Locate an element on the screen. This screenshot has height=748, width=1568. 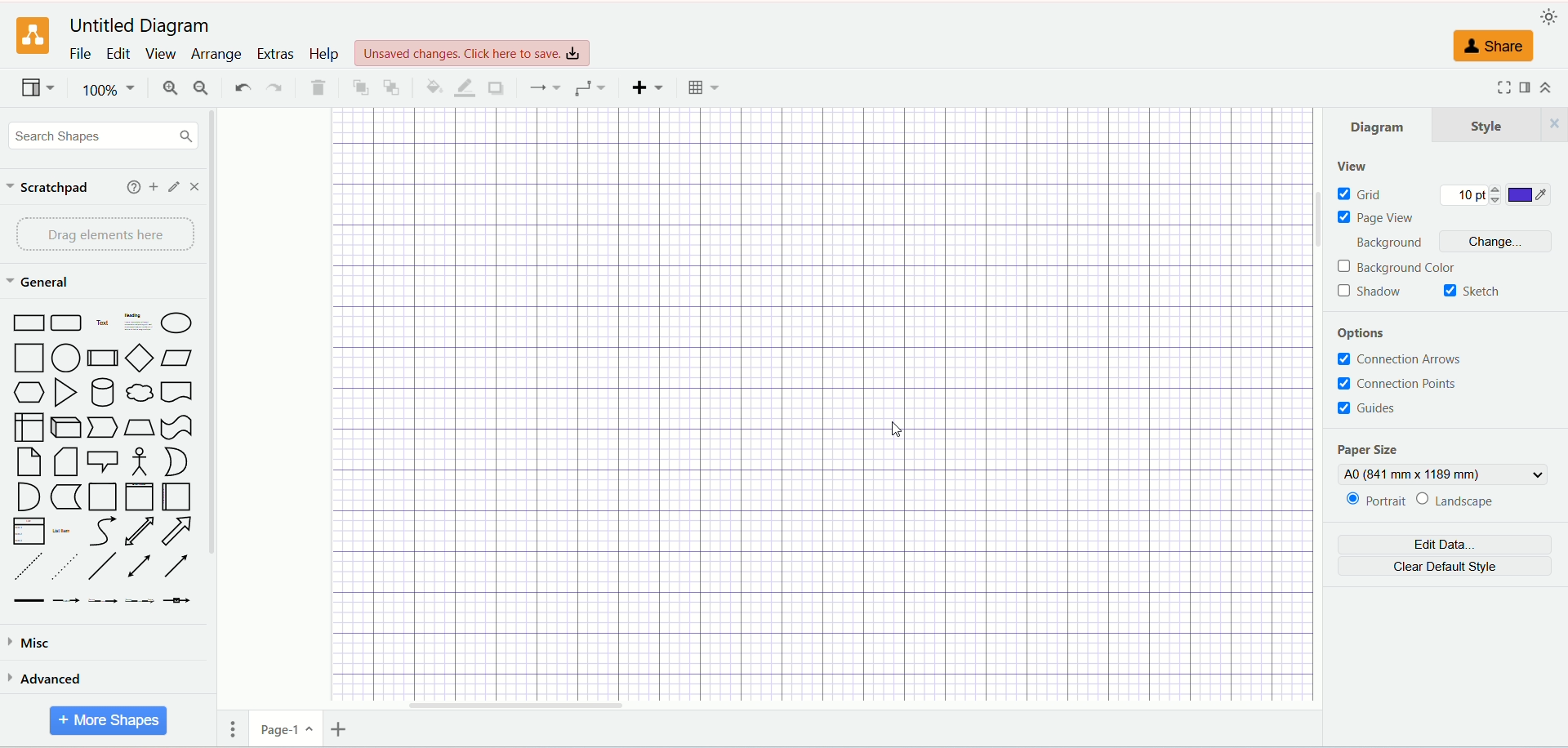
logo is located at coordinates (33, 37).